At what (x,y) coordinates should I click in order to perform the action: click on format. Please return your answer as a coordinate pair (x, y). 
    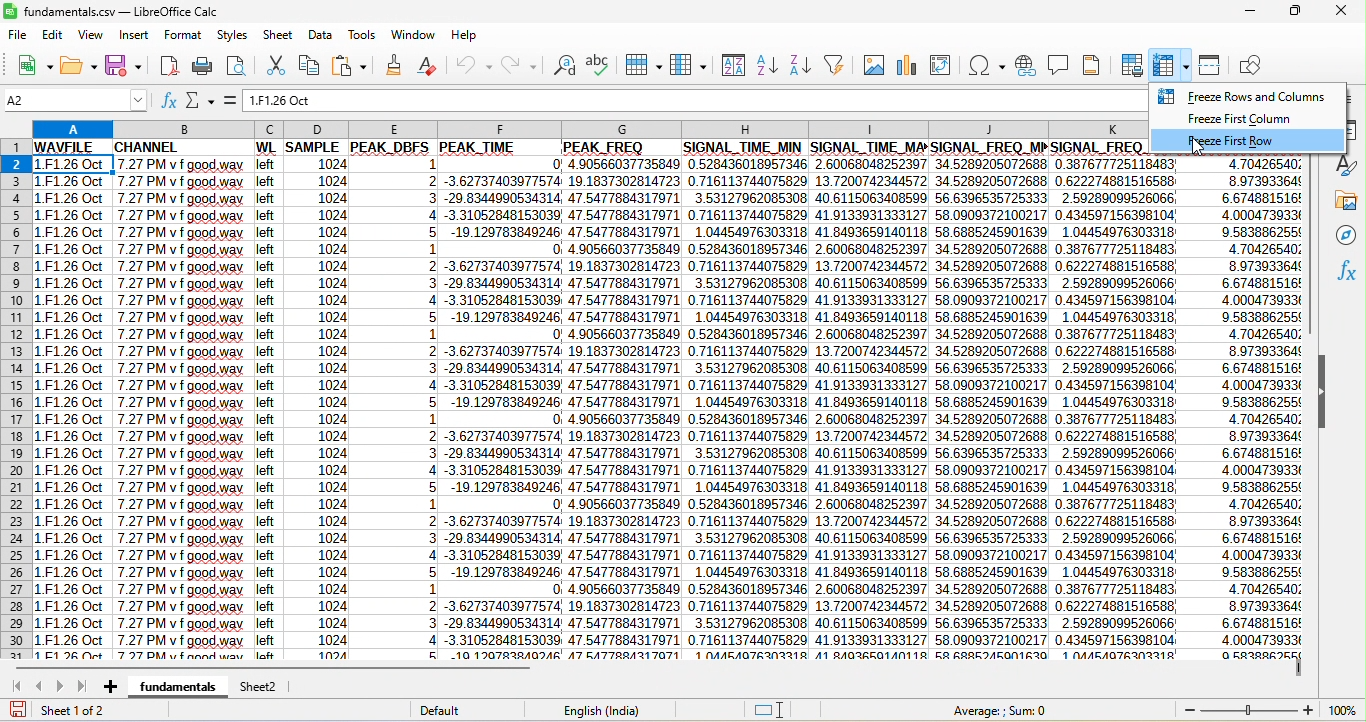
    Looking at the image, I should click on (182, 36).